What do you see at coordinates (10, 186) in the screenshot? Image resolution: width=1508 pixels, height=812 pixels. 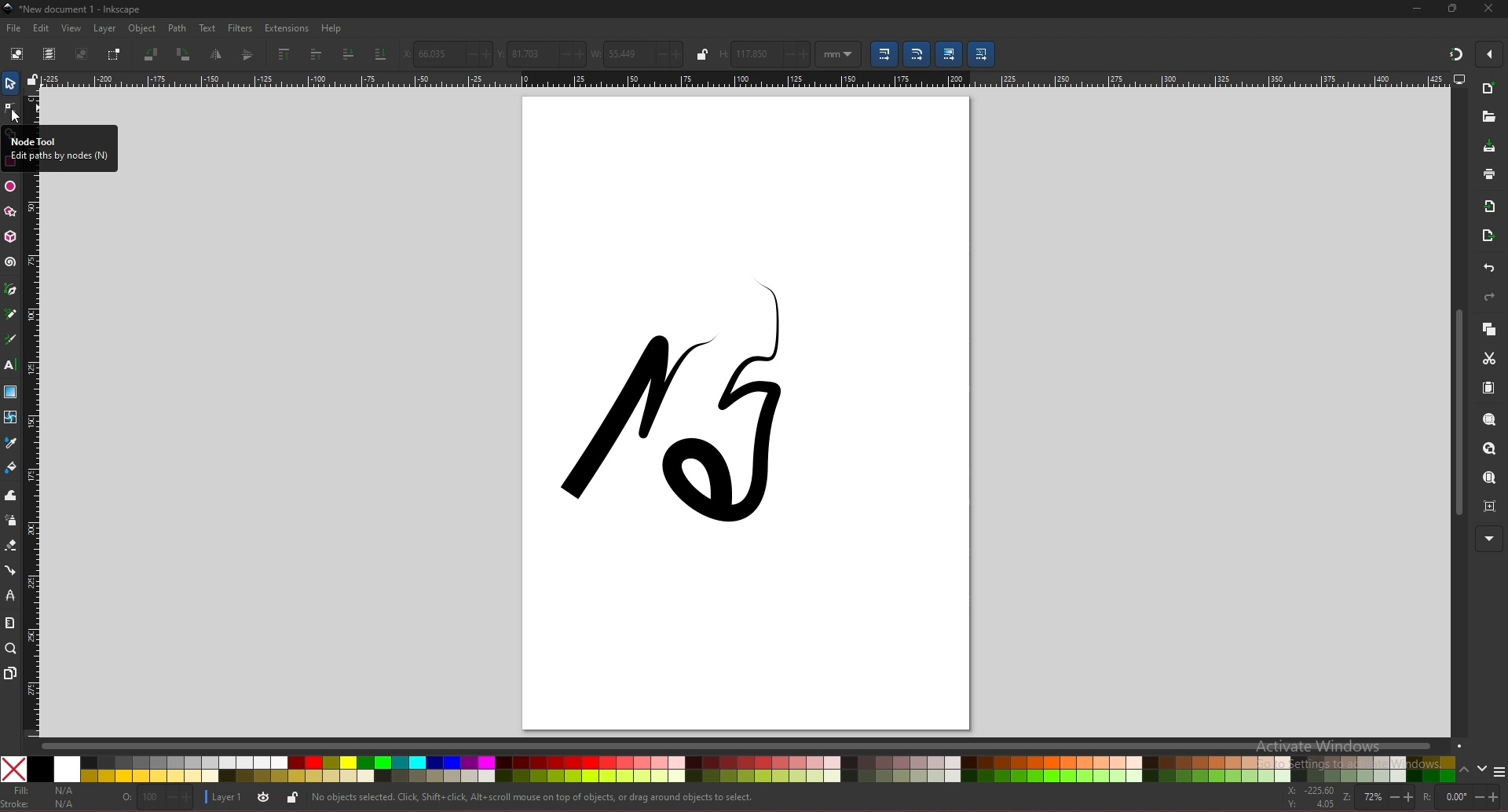 I see `ellipse` at bounding box center [10, 186].